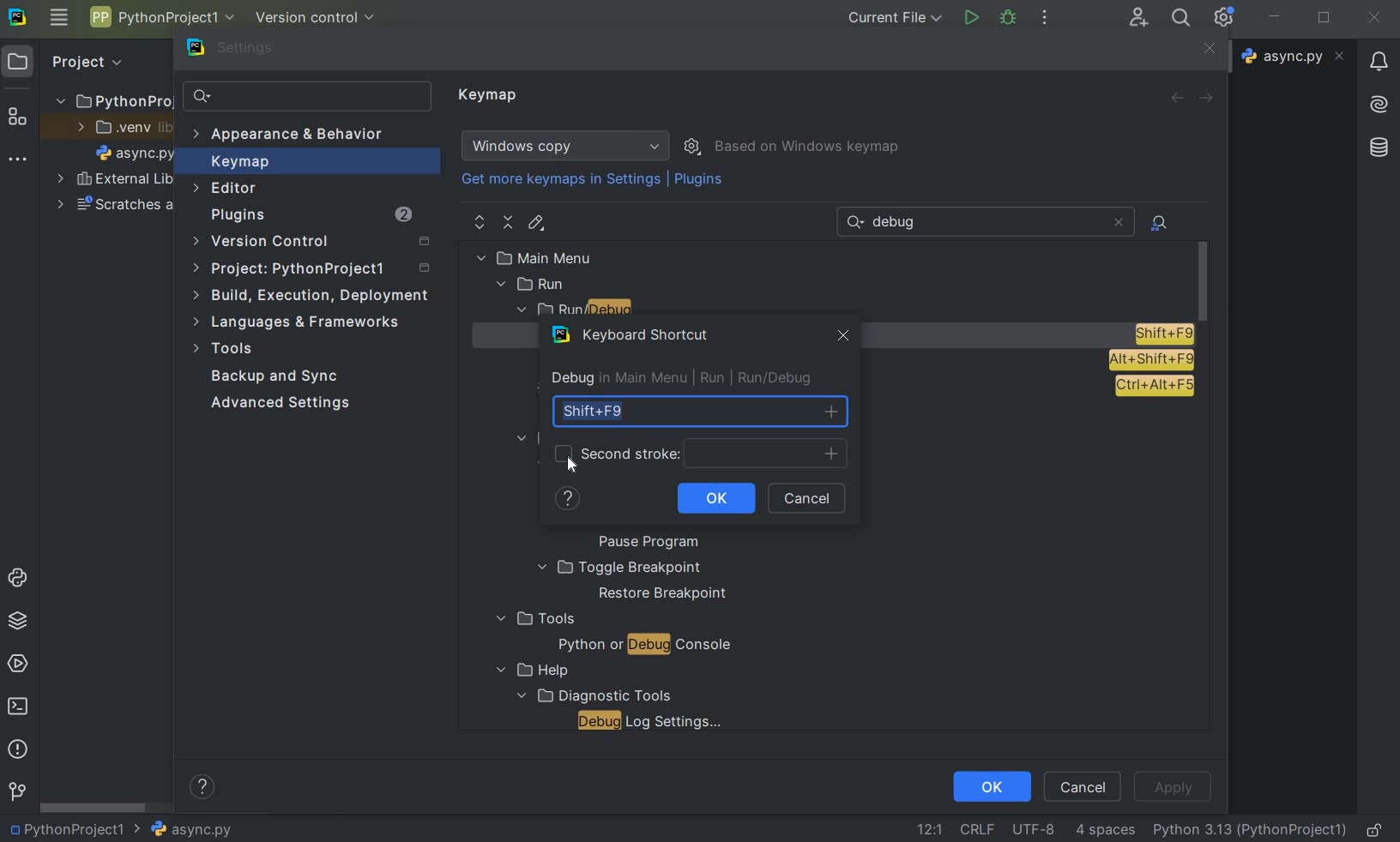 Image resolution: width=1400 pixels, height=842 pixels. What do you see at coordinates (1009, 16) in the screenshot?
I see `debug` at bounding box center [1009, 16].